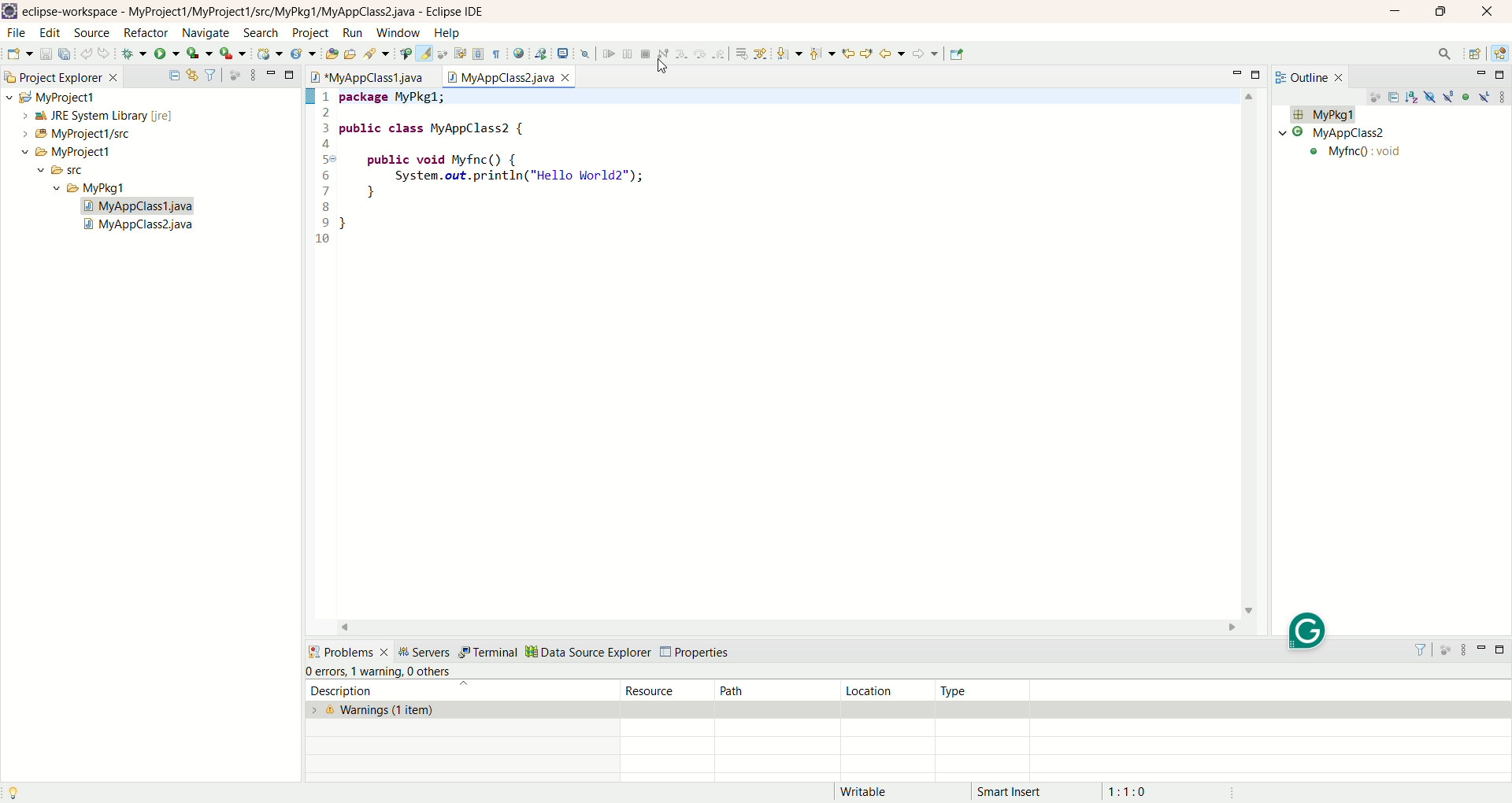  What do you see at coordinates (347, 650) in the screenshot?
I see `problems` at bounding box center [347, 650].